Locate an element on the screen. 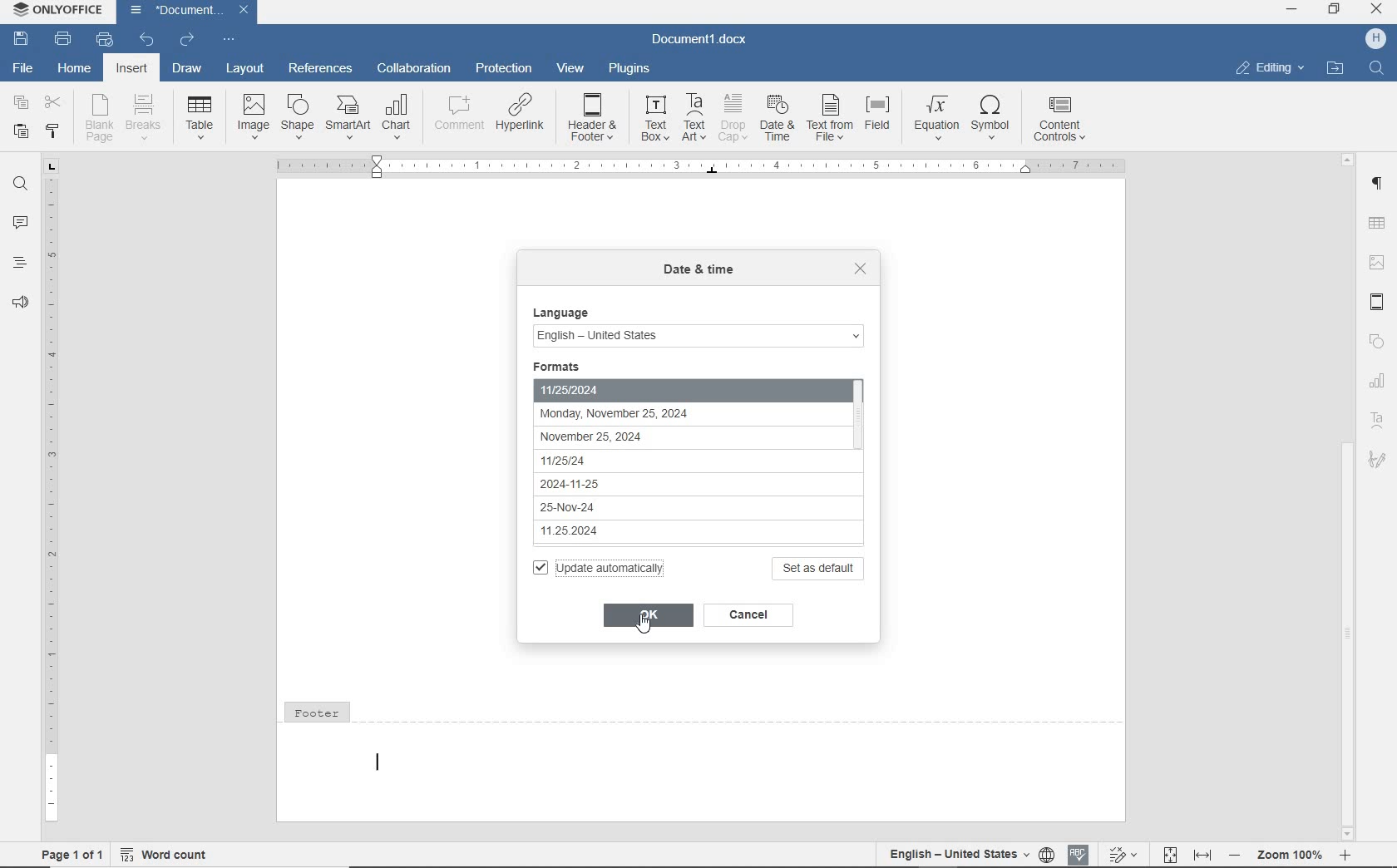 The height and width of the screenshot is (868, 1397). ONLYOFFICE is located at coordinates (55, 12).